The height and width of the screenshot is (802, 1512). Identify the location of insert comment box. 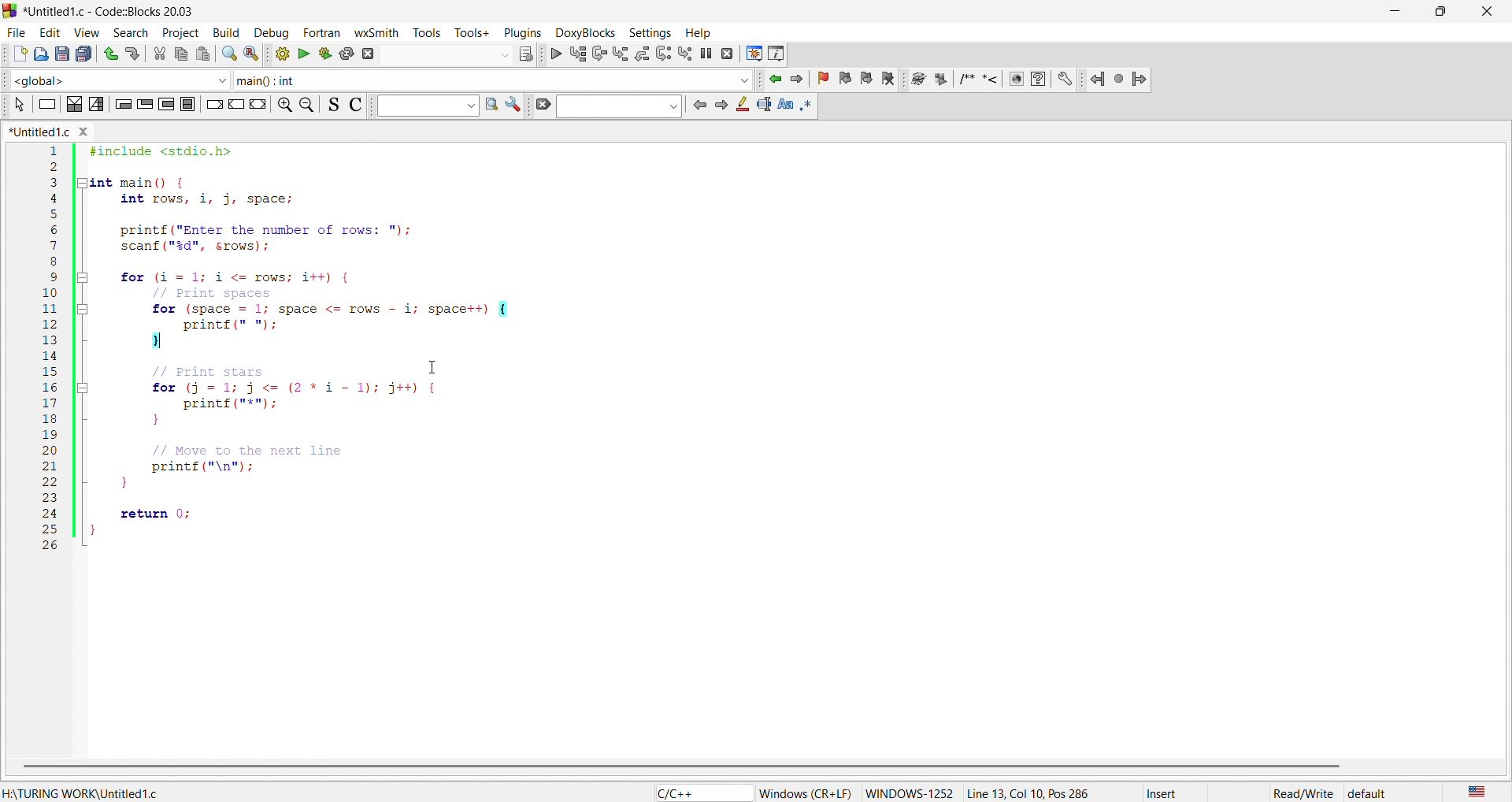
(967, 81).